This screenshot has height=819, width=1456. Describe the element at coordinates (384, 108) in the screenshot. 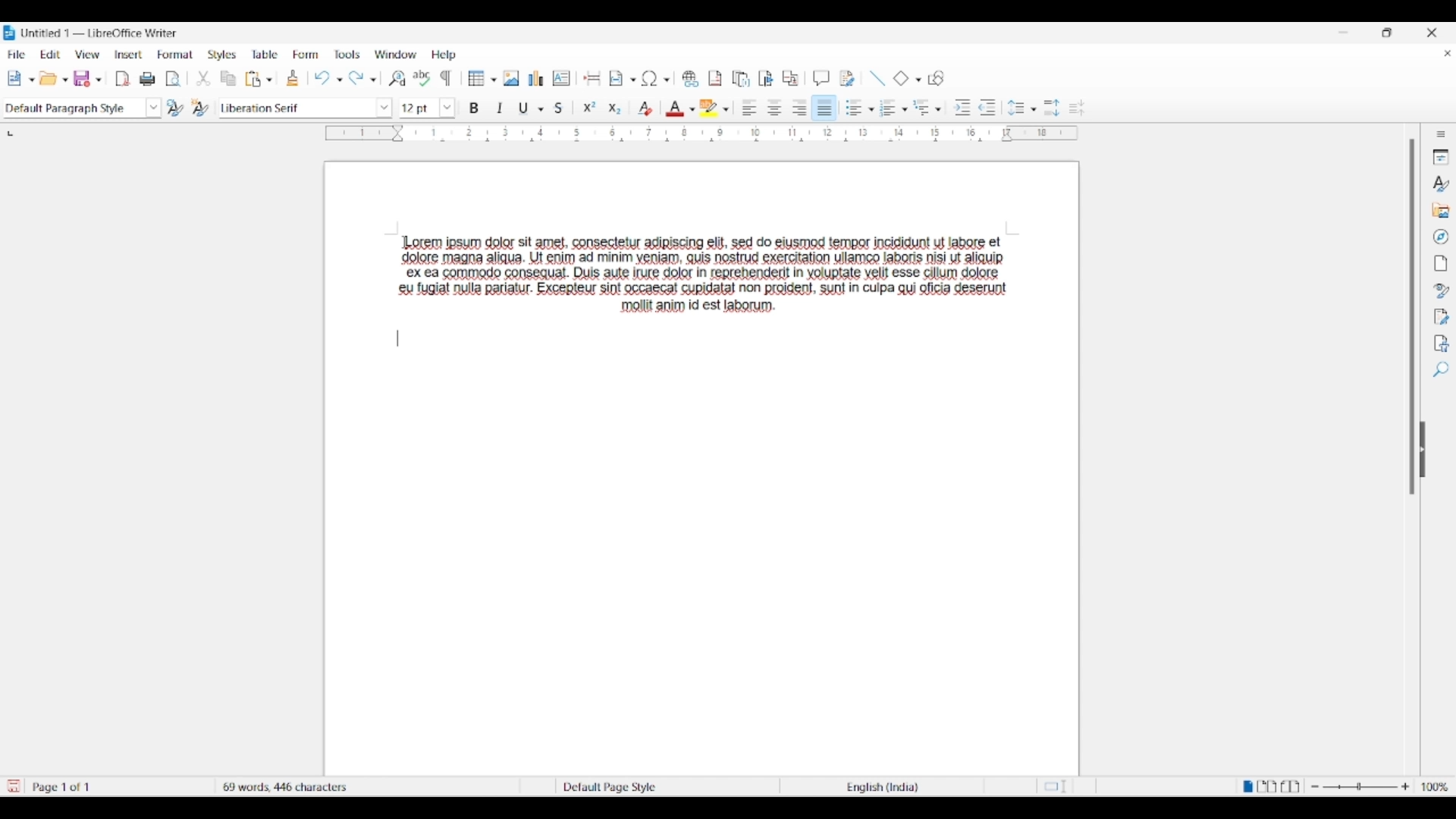

I see `Font name options` at that location.